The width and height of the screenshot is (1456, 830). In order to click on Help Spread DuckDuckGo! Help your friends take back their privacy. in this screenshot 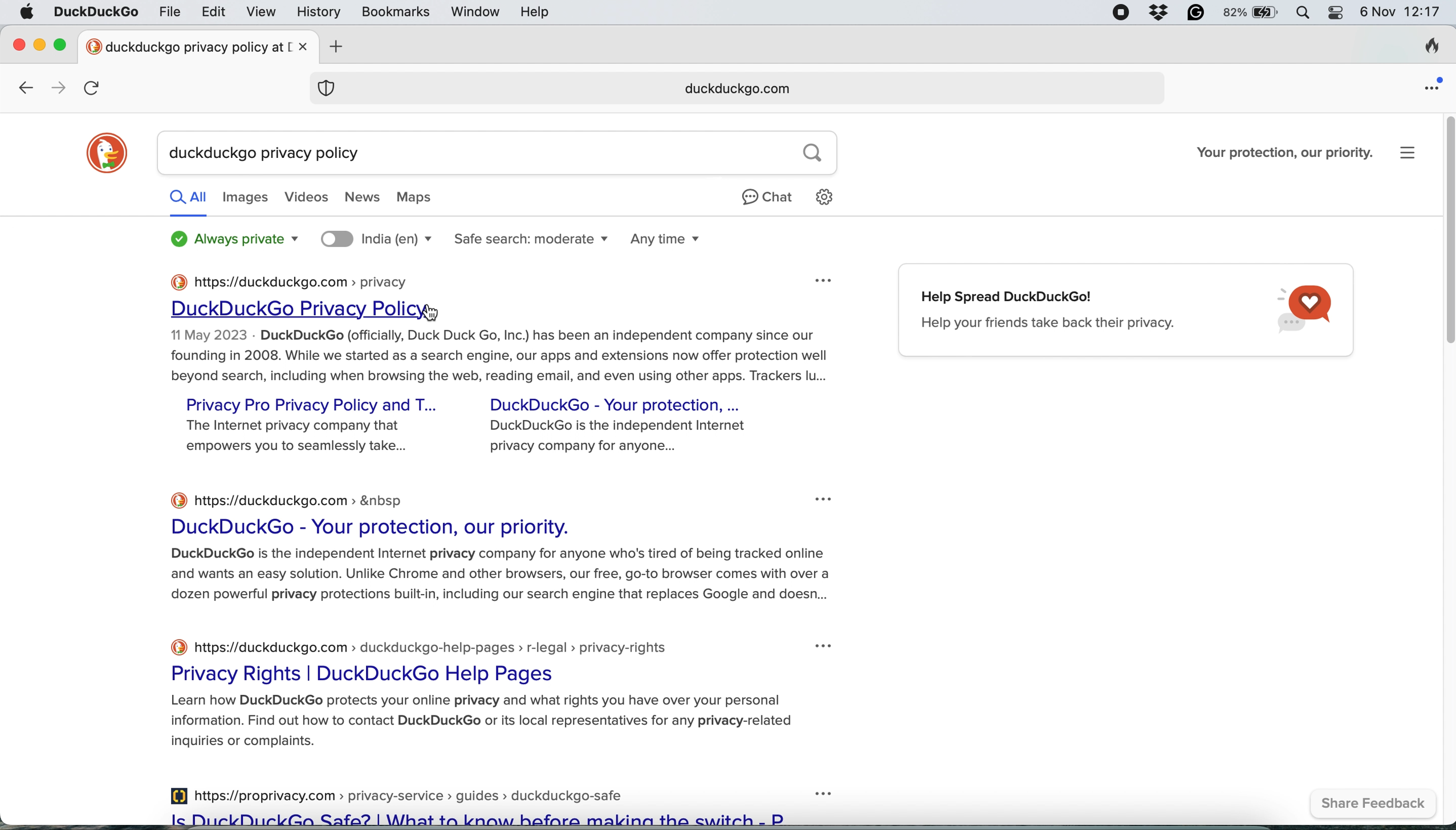, I will do `click(1123, 315)`.